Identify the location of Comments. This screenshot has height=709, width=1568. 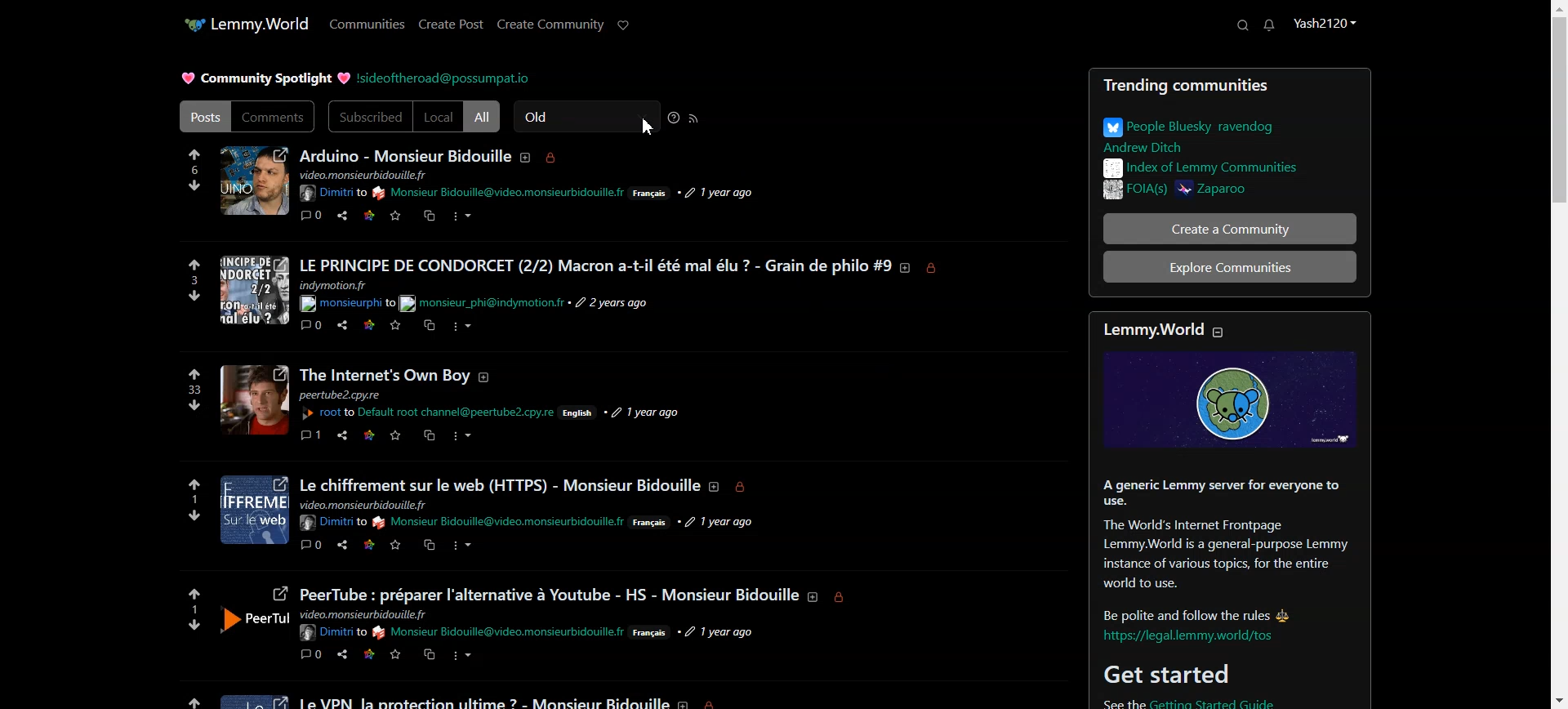
(274, 117).